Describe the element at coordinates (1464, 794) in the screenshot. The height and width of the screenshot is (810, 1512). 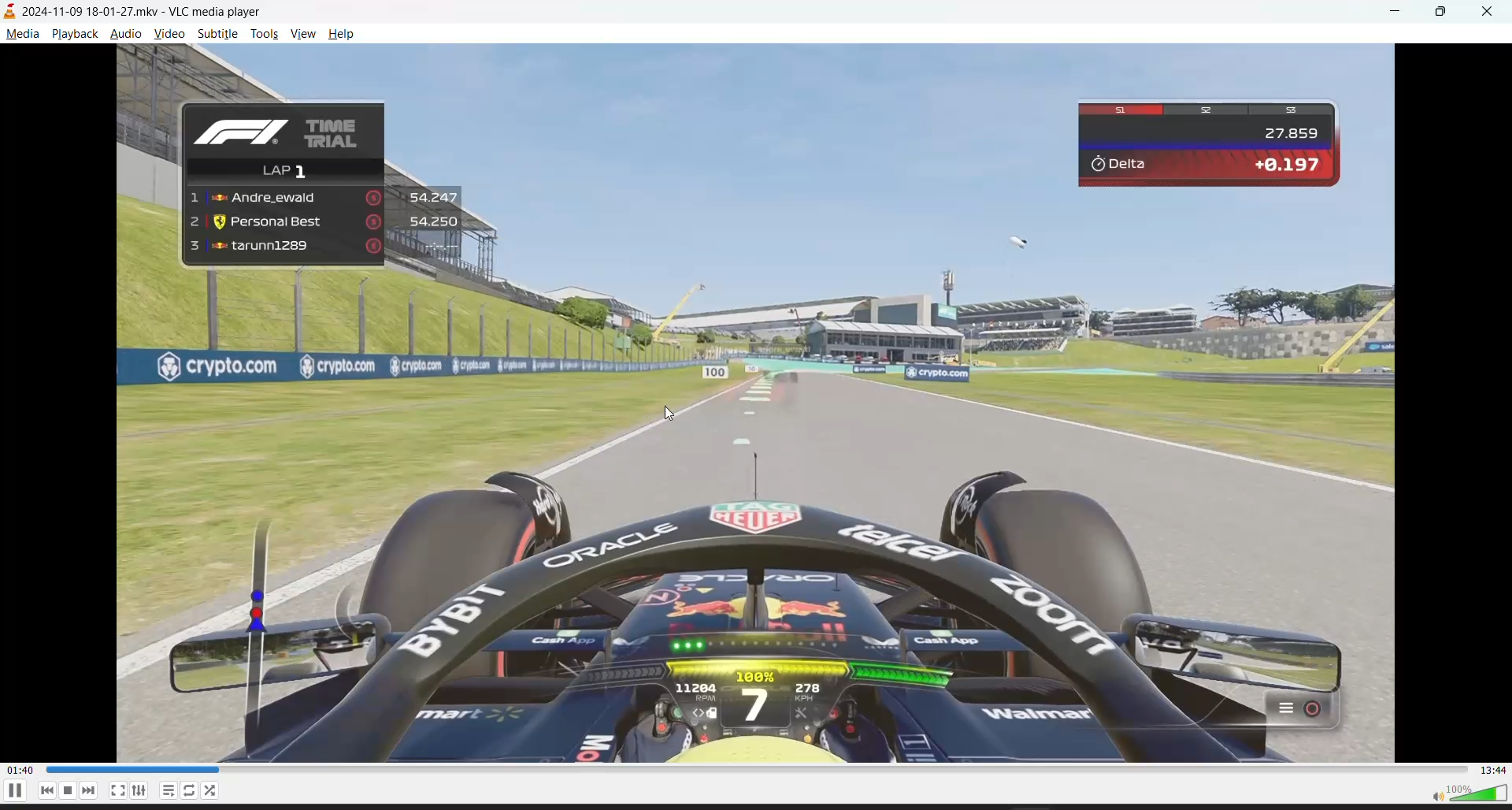
I see `volume` at that location.